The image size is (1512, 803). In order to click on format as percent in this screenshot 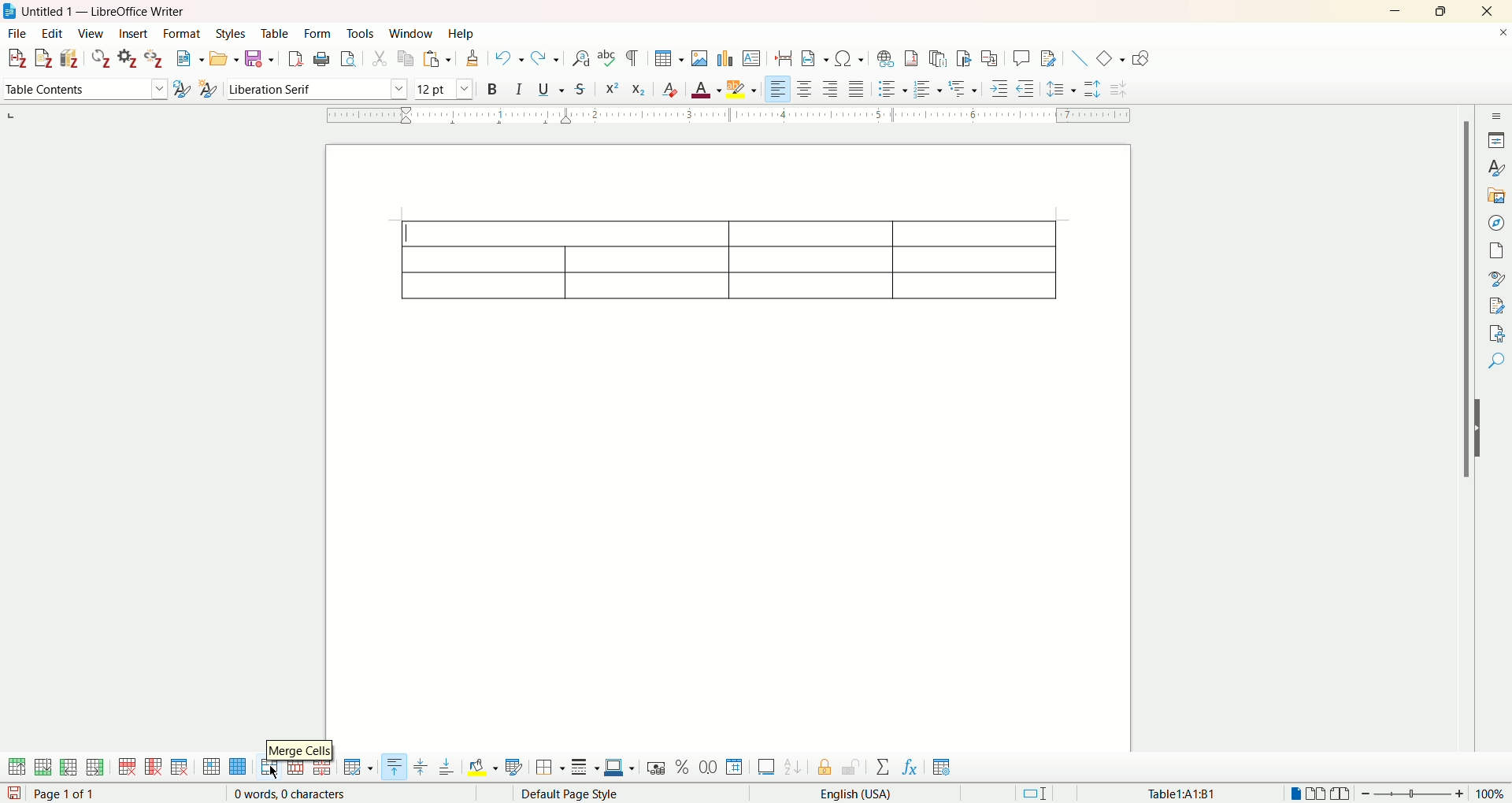, I will do `click(682, 769)`.